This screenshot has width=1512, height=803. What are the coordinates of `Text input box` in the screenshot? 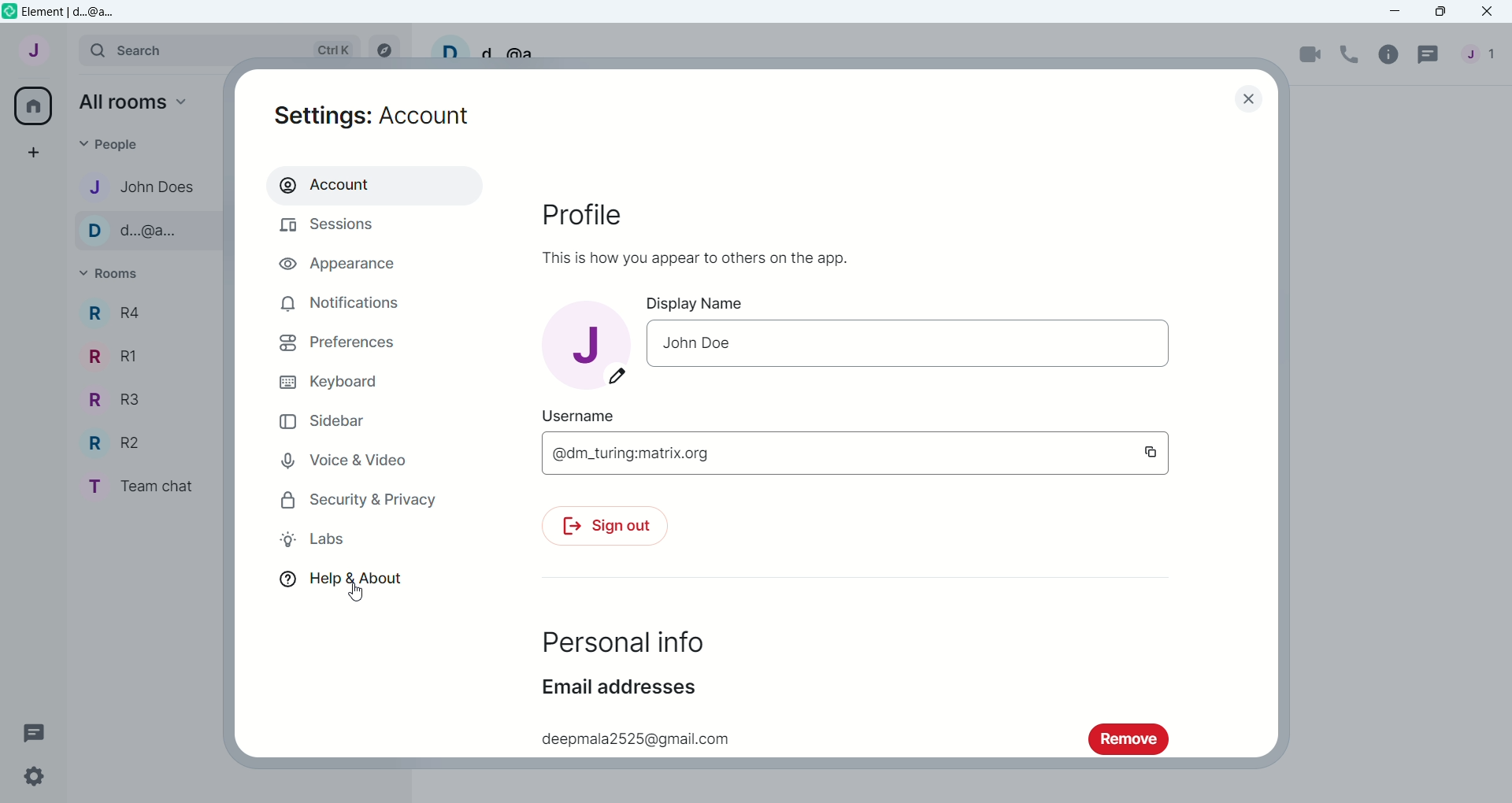 It's located at (876, 456).